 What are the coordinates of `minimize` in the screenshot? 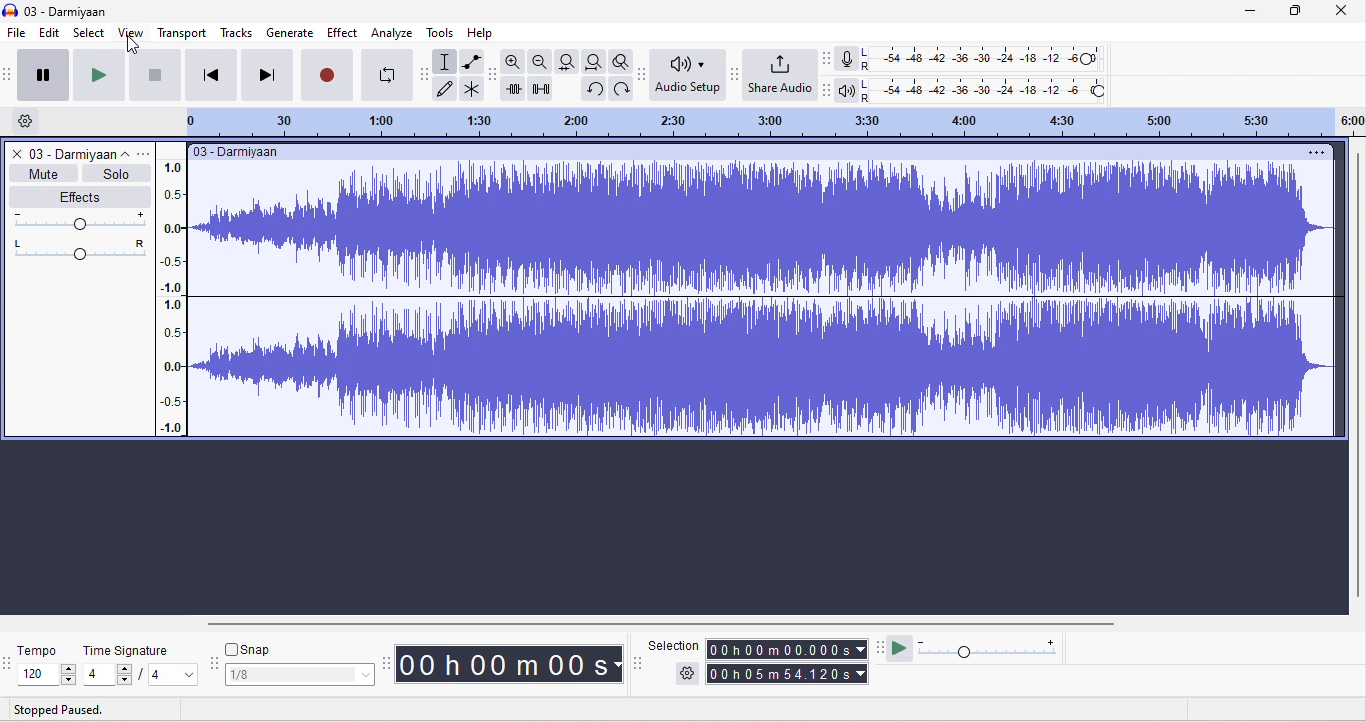 It's located at (1249, 14).